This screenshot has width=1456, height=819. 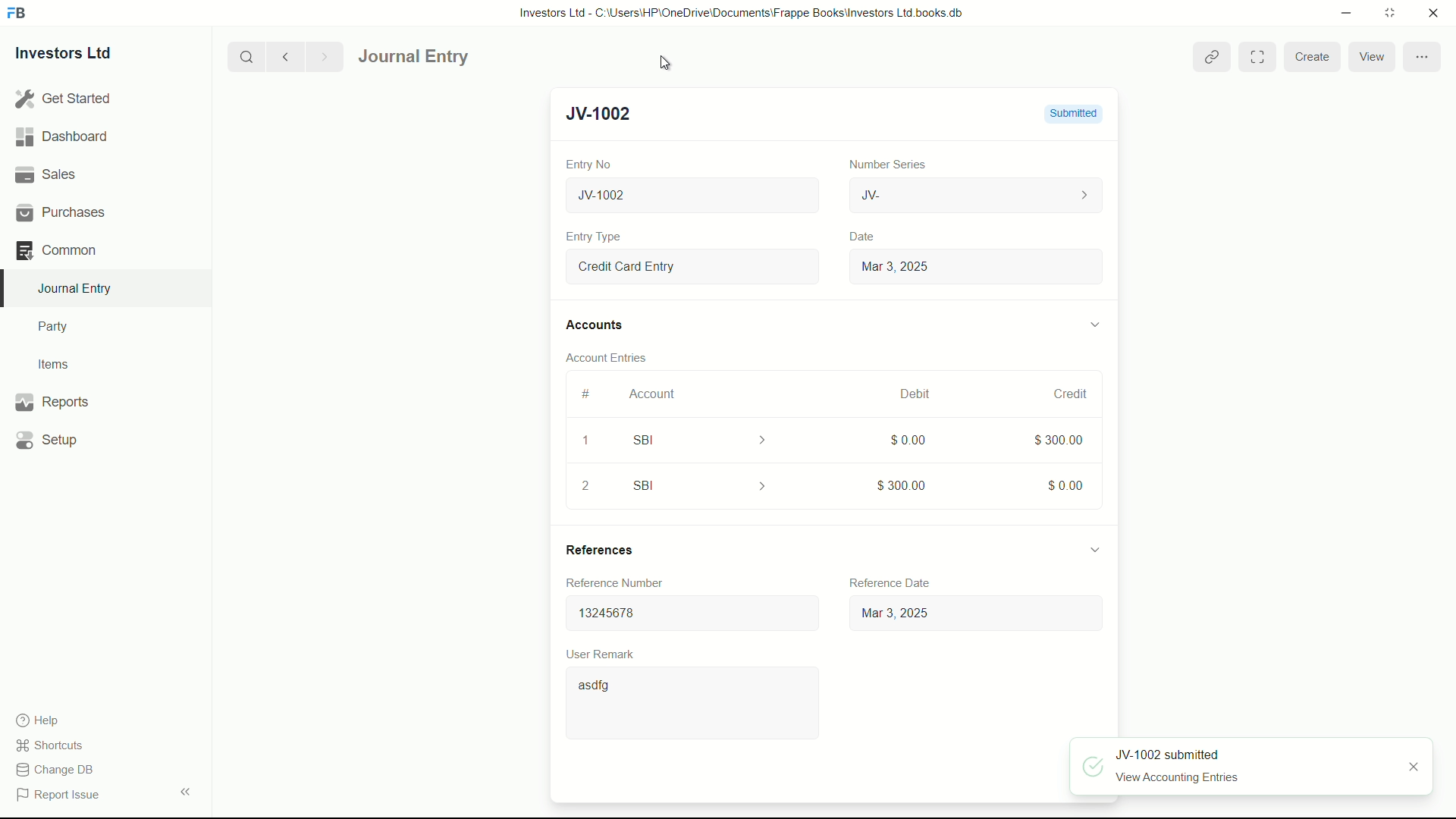 What do you see at coordinates (743, 12) in the screenshot?
I see `Investors Ltd - C:\Users\HP\OneDrive\Documents\Frappe Books\Investors Ltd books.db` at bounding box center [743, 12].